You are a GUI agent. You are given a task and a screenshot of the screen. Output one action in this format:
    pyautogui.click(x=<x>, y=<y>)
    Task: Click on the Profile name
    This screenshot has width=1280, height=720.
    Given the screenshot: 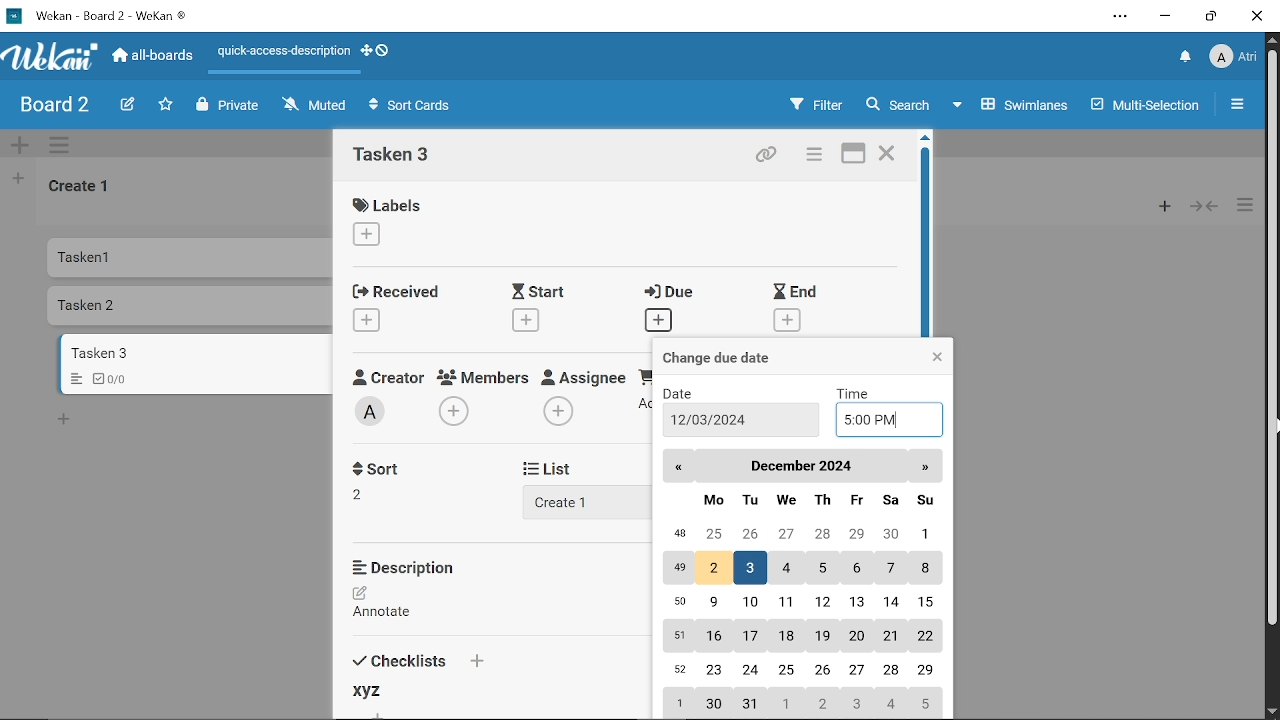 What is the action you would take?
    pyautogui.click(x=1234, y=55)
    